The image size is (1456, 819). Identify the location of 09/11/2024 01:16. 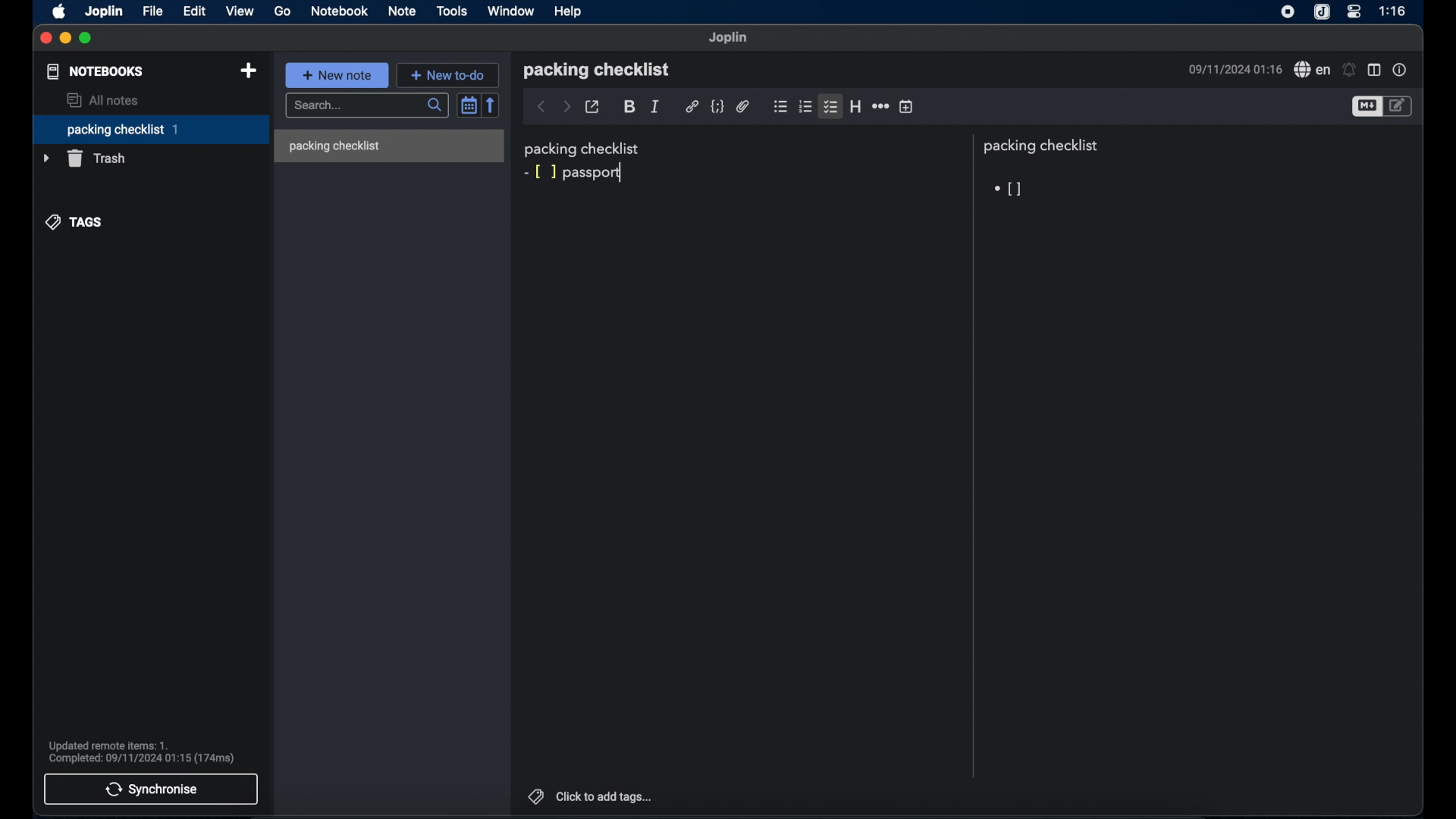
(1232, 70).